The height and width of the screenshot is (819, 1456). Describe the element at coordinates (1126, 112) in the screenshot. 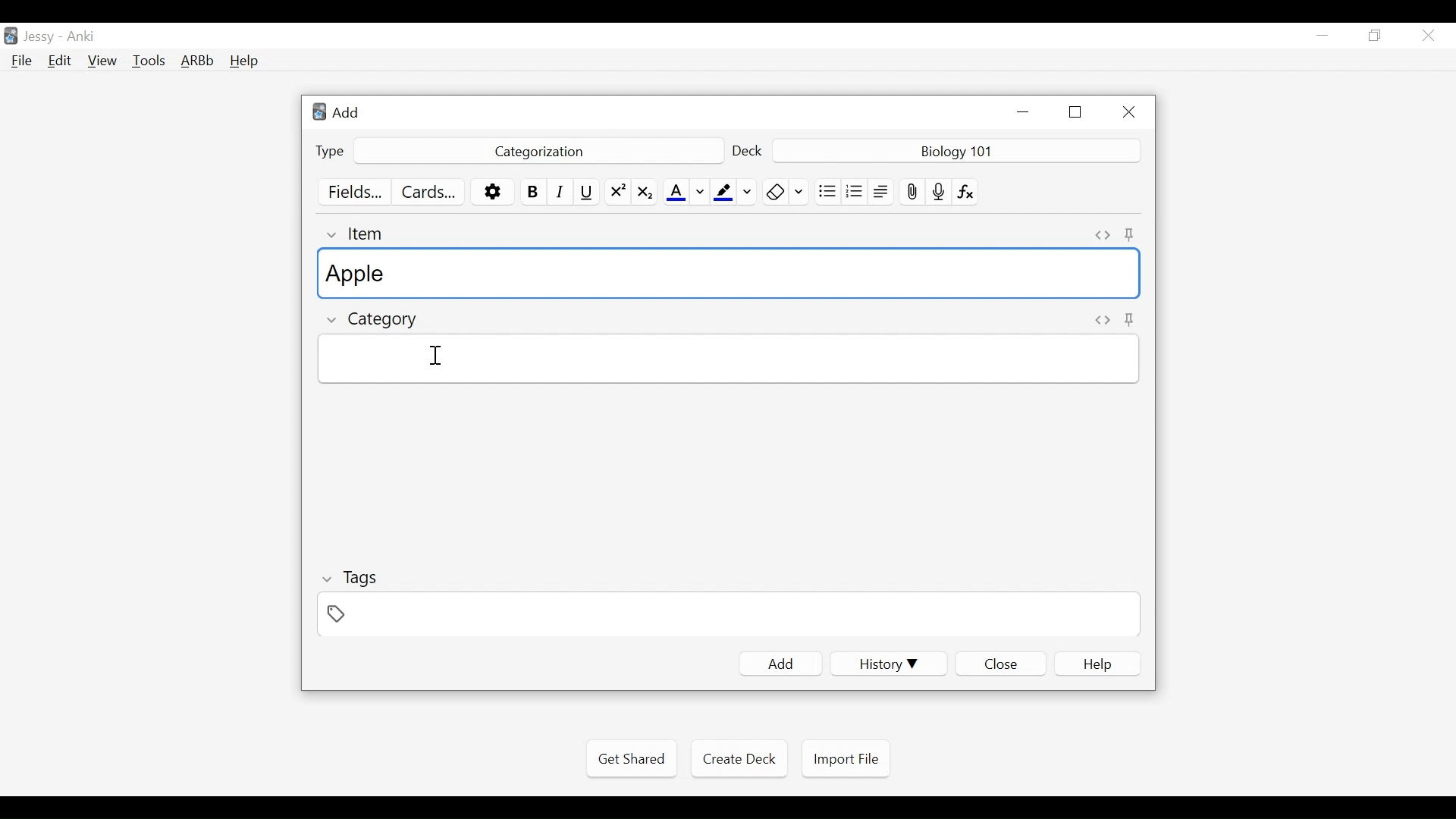

I see `Close` at that location.